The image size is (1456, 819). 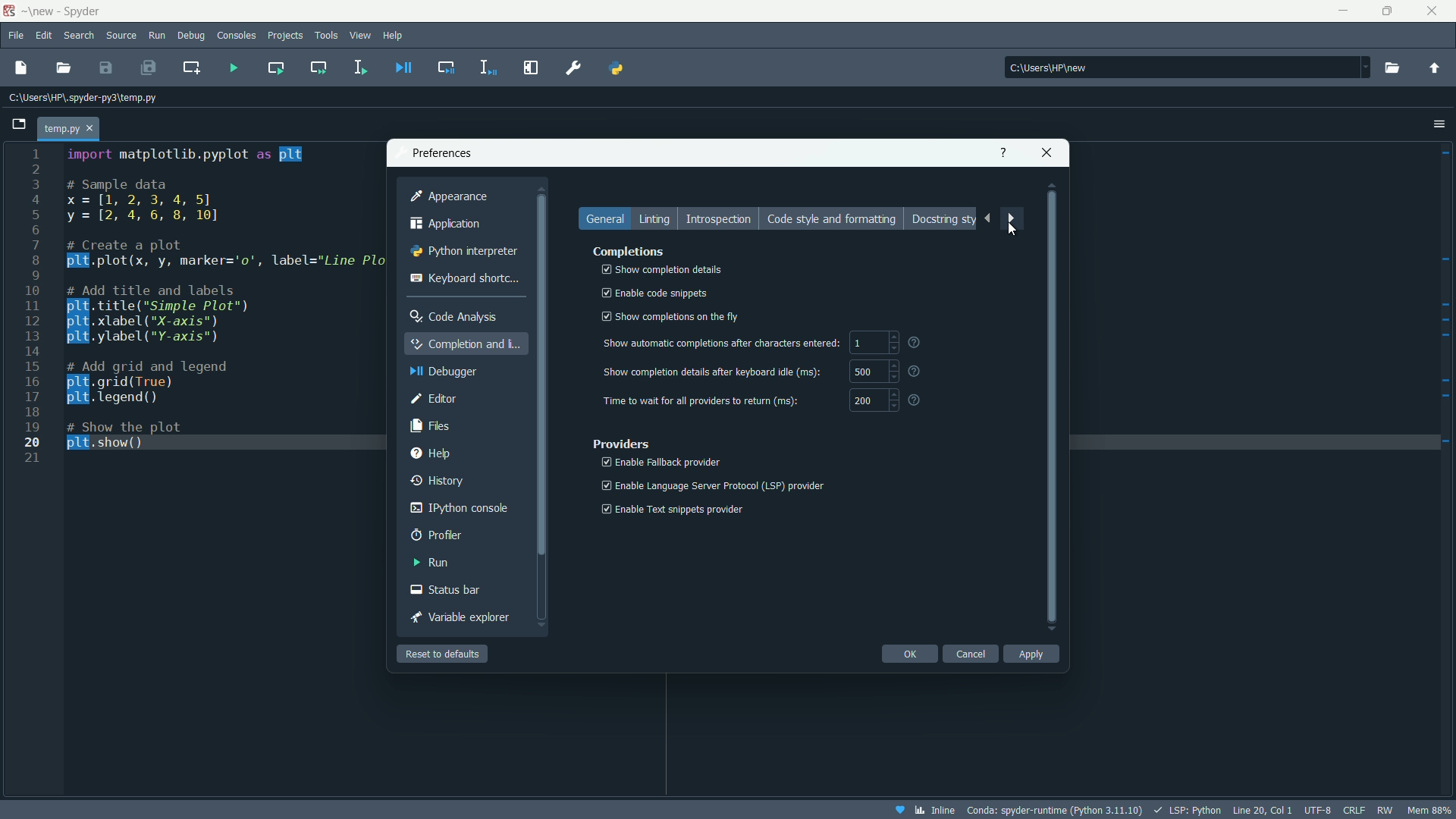 I want to click on app icon, so click(x=8, y=11).